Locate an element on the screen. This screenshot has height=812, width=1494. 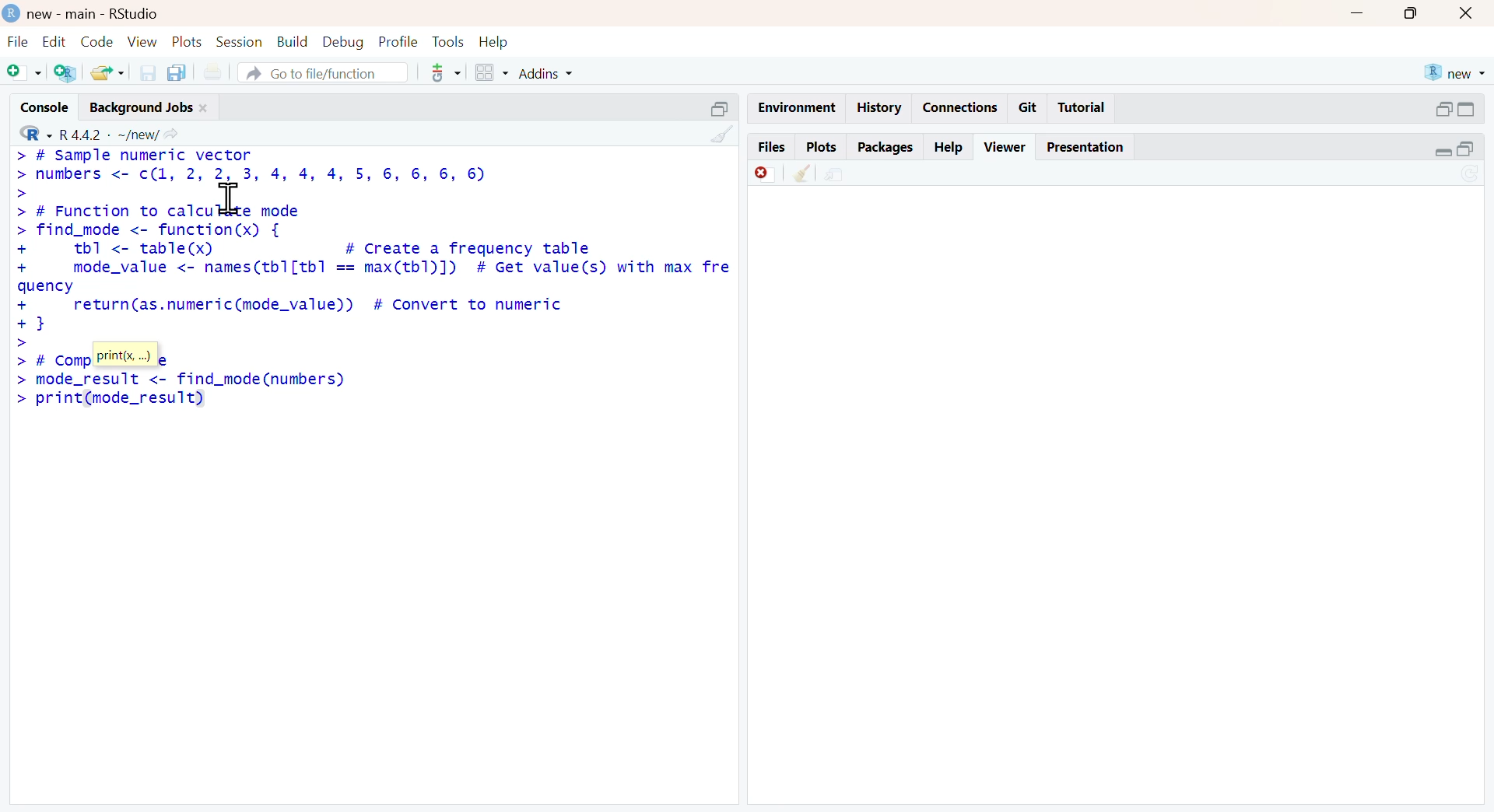
cursor is located at coordinates (228, 198).